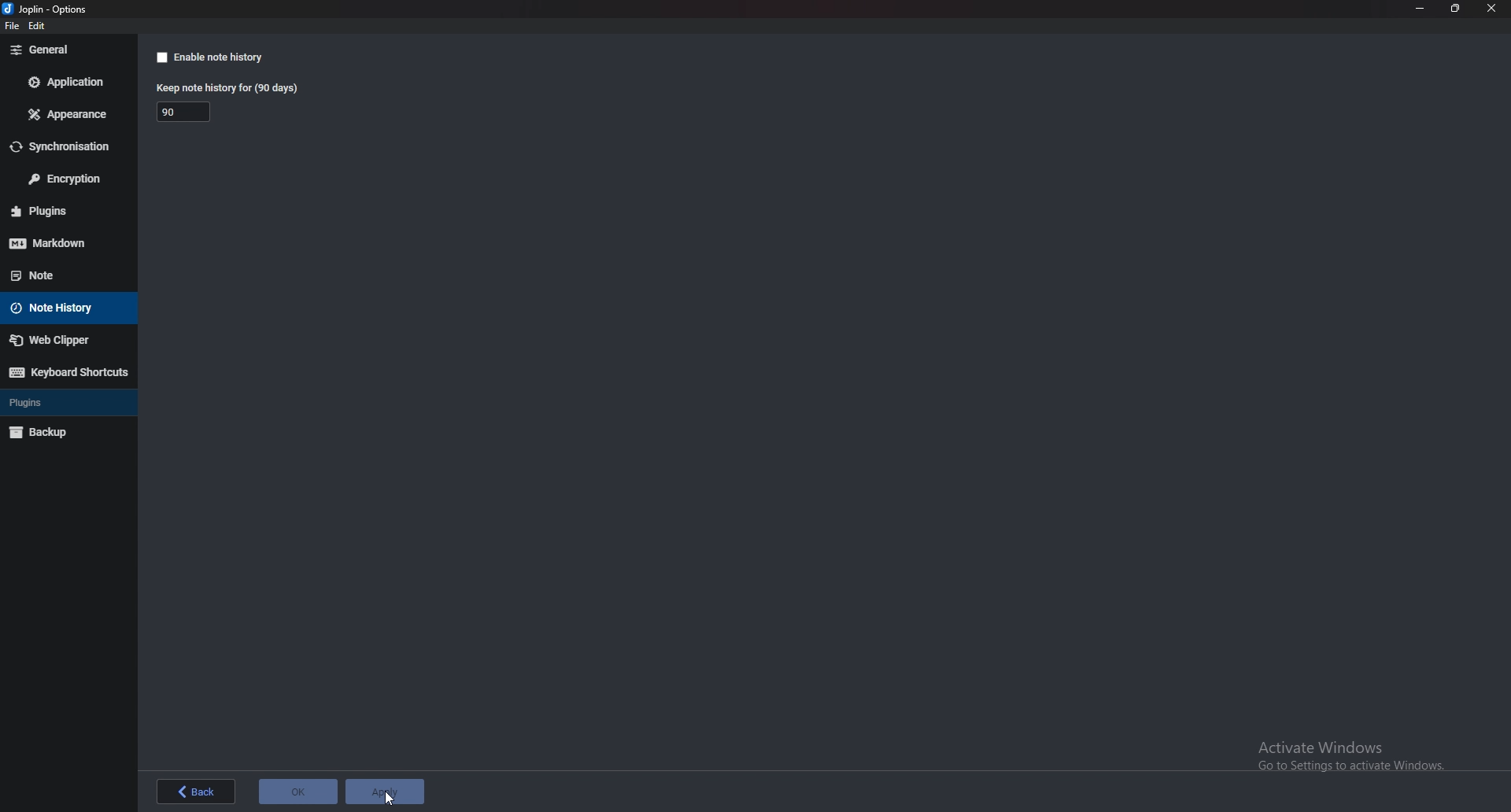 Image resolution: width=1511 pixels, height=812 pixels. What do you see at coordinates (67, 179) in the screenshot?
I see `Encryption` at bounding box center [67, 179].